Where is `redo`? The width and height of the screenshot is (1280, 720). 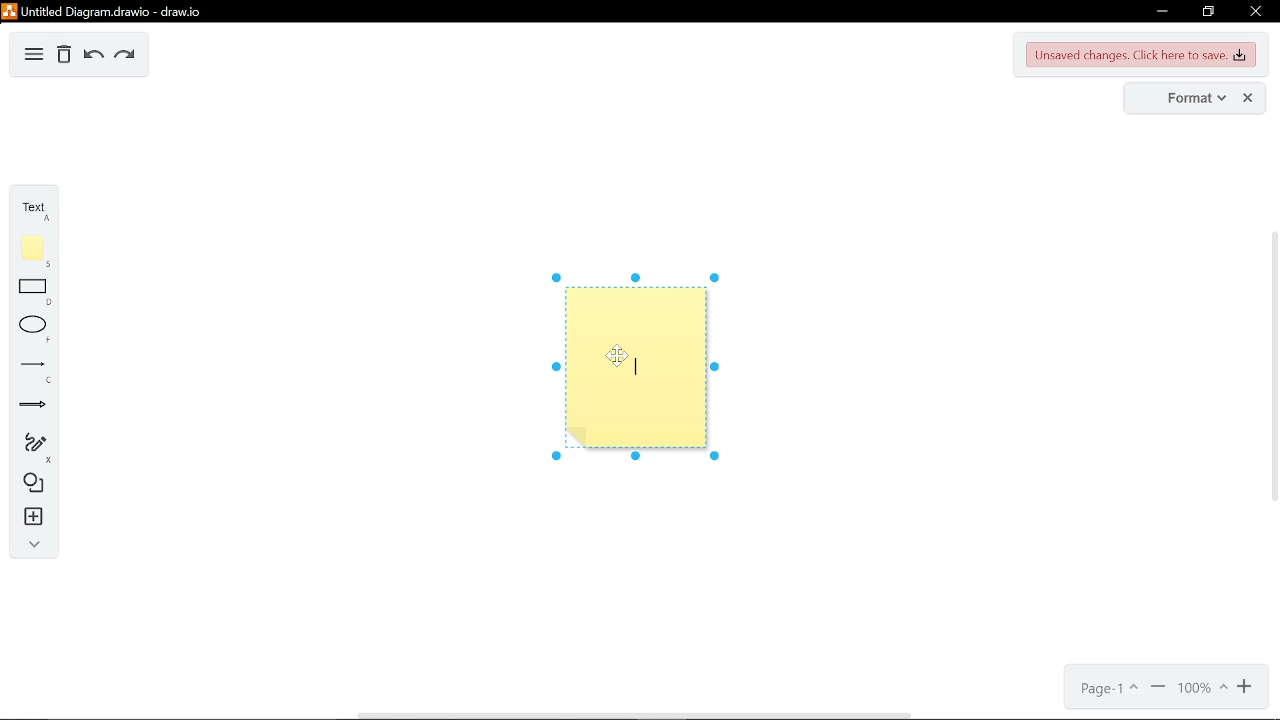 redo is located at coordinates (124, 57).